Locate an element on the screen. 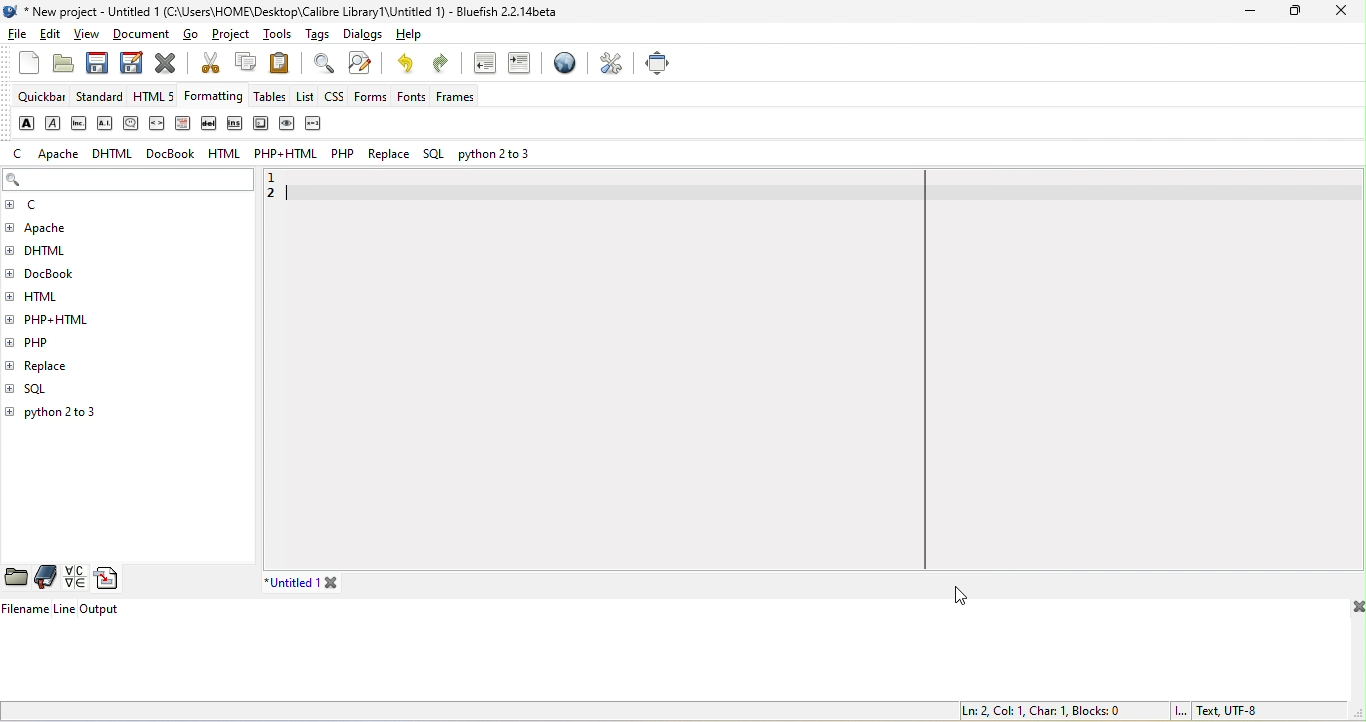 Image resolution: width=1366 pixels, height=722 pixels. fonts is located at coordinates (408, 97).